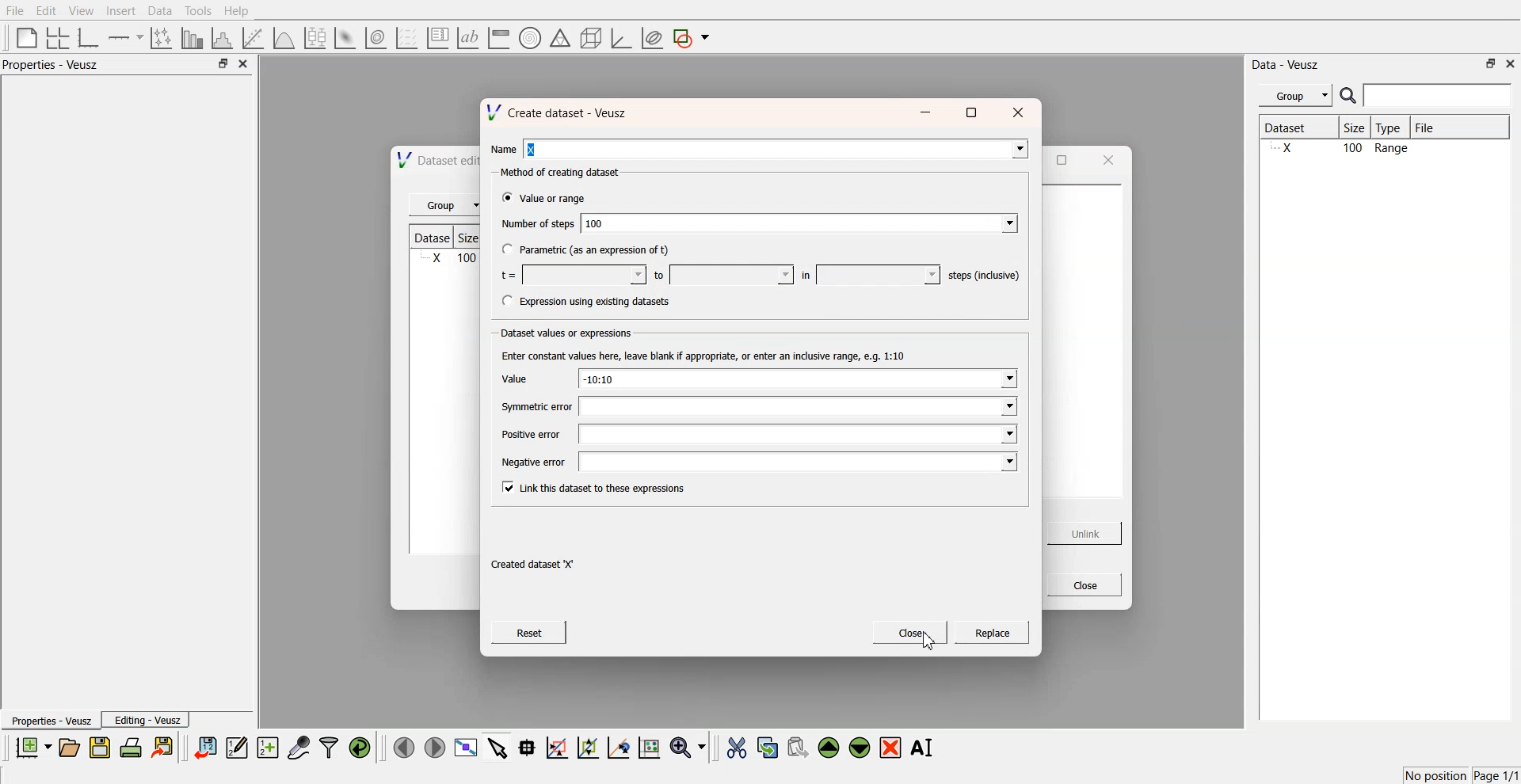  Describe the element at coordinates (225, 37) in the screenshot. I see `histogram` at that location.